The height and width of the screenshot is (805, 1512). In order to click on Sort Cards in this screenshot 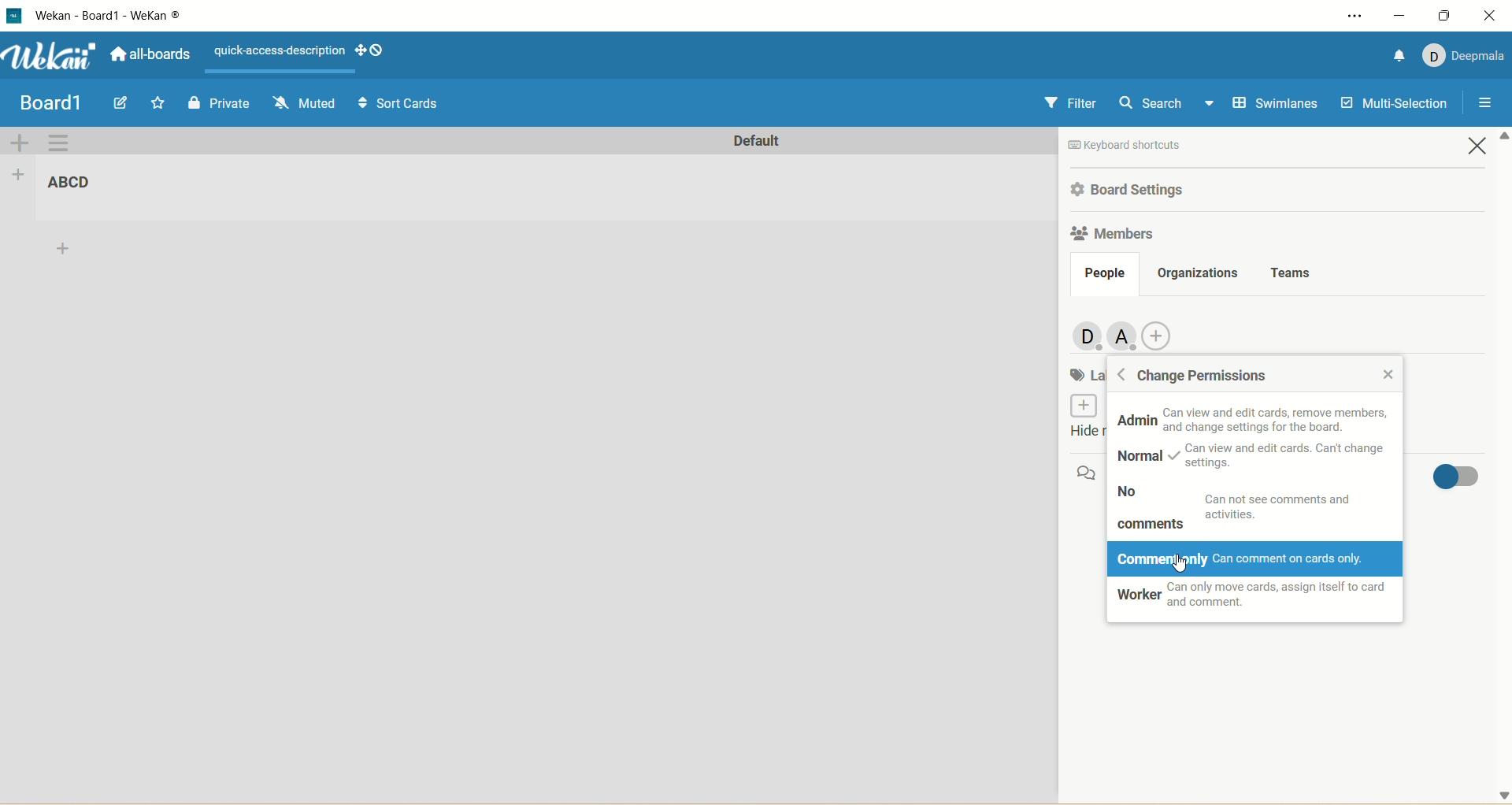, I will do `click(397, 102)`.